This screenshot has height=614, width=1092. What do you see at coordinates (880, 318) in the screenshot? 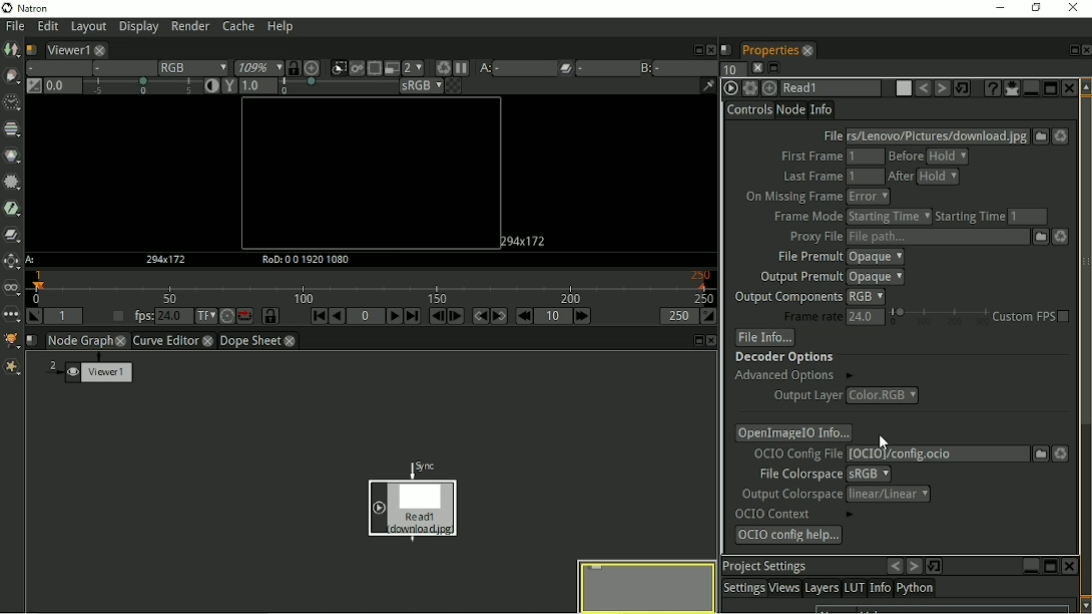
I see `Frame rate` at bounding box center [880, 318].